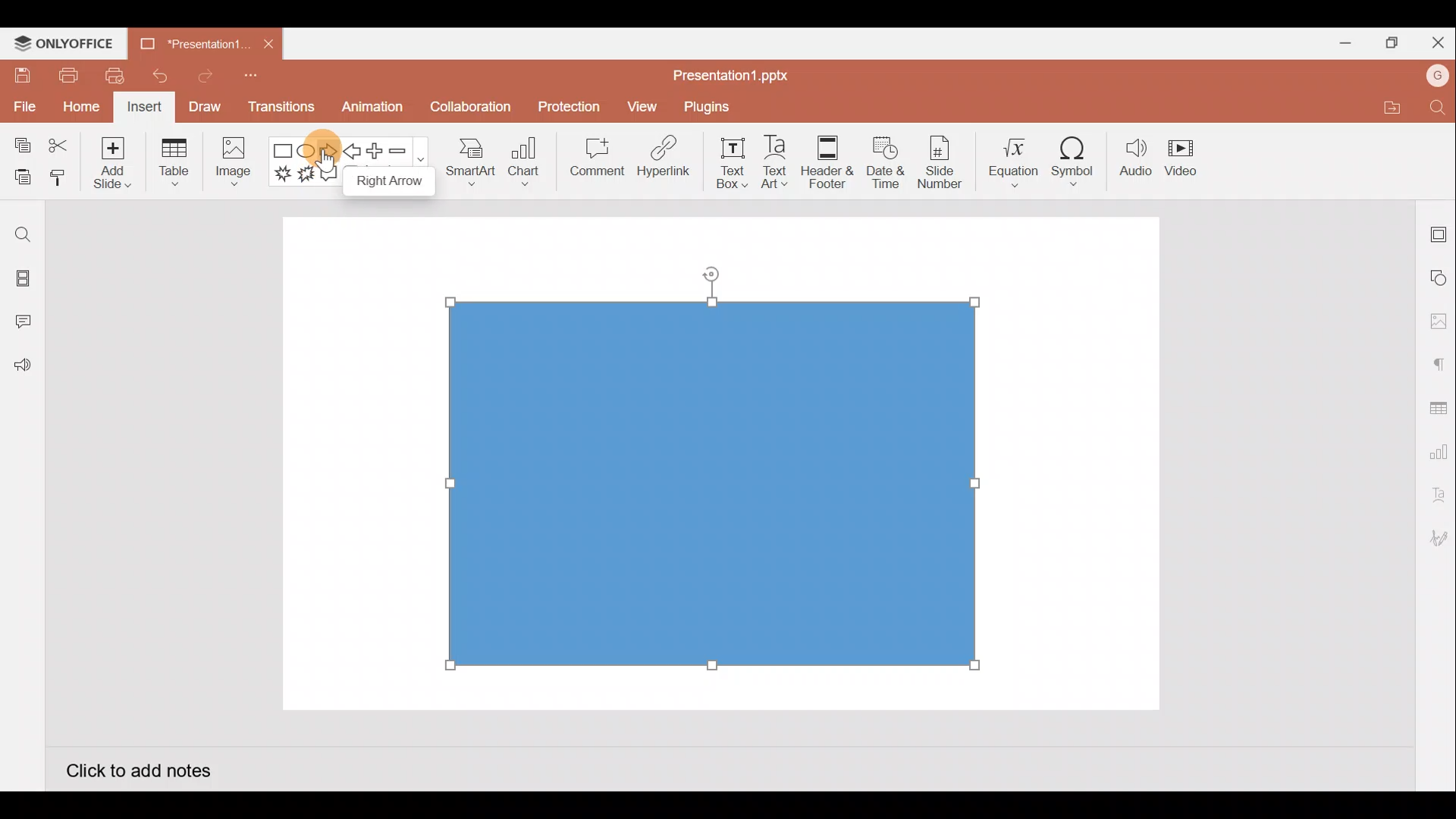 Image resolution: width=1456 pixels, height=819 pixels. I want to click on Presentation1.pptx, so click(736, 73).